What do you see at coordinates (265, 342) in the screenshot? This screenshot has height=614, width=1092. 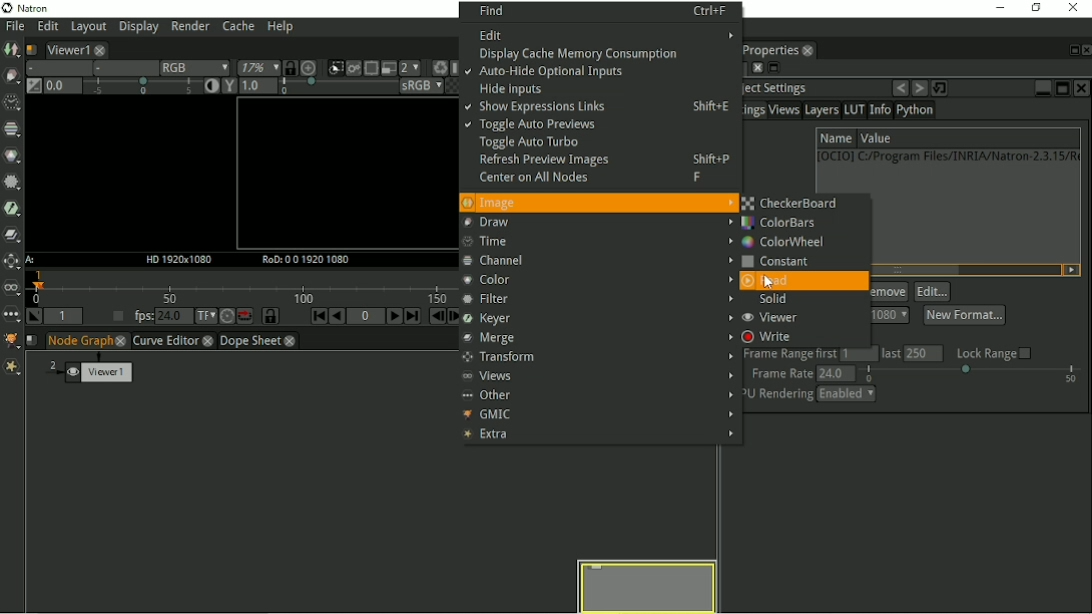 I see `Dope sheet` at bounding box center [265, 342].